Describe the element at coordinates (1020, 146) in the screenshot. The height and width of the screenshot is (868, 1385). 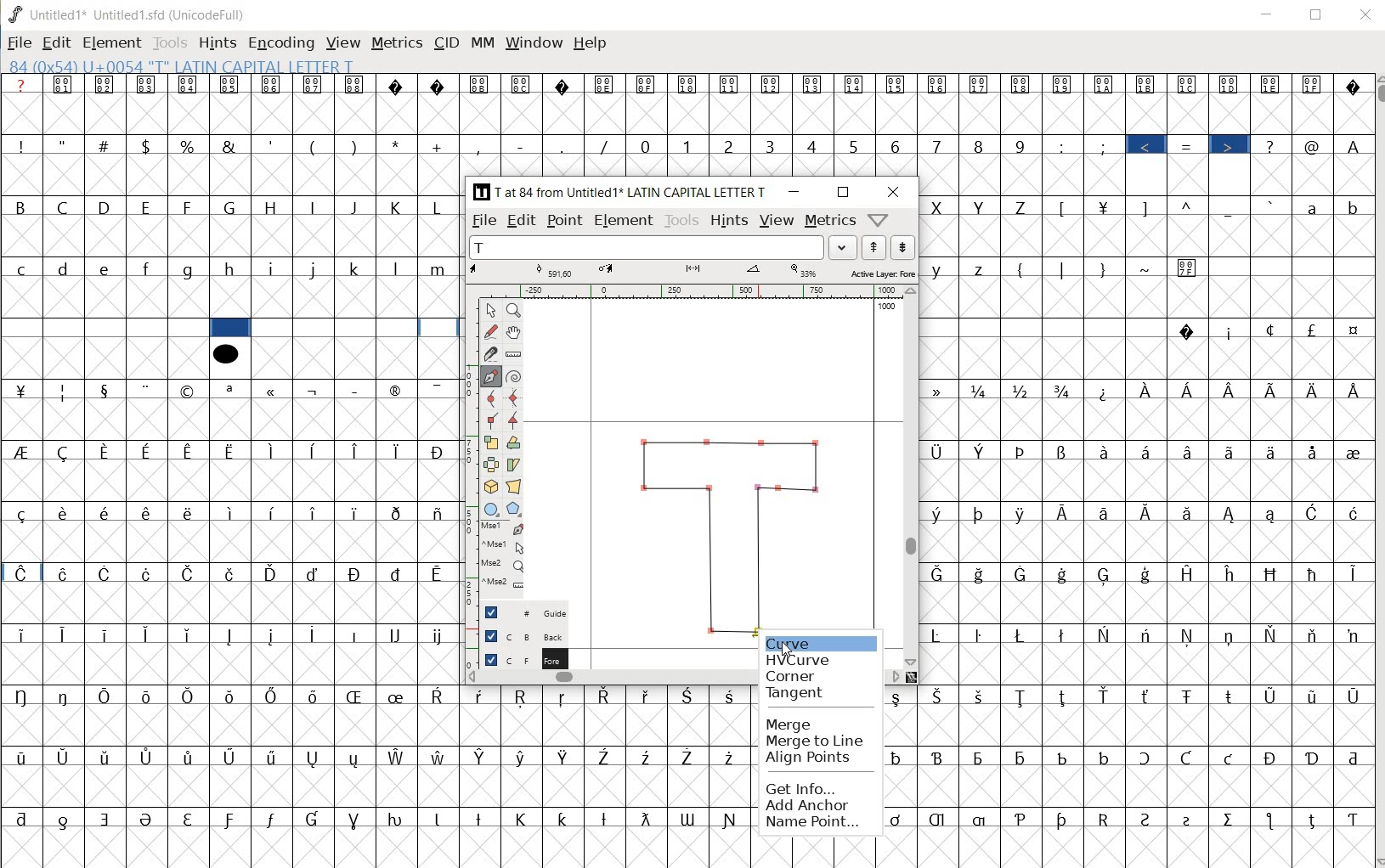
I see `9` at that location.